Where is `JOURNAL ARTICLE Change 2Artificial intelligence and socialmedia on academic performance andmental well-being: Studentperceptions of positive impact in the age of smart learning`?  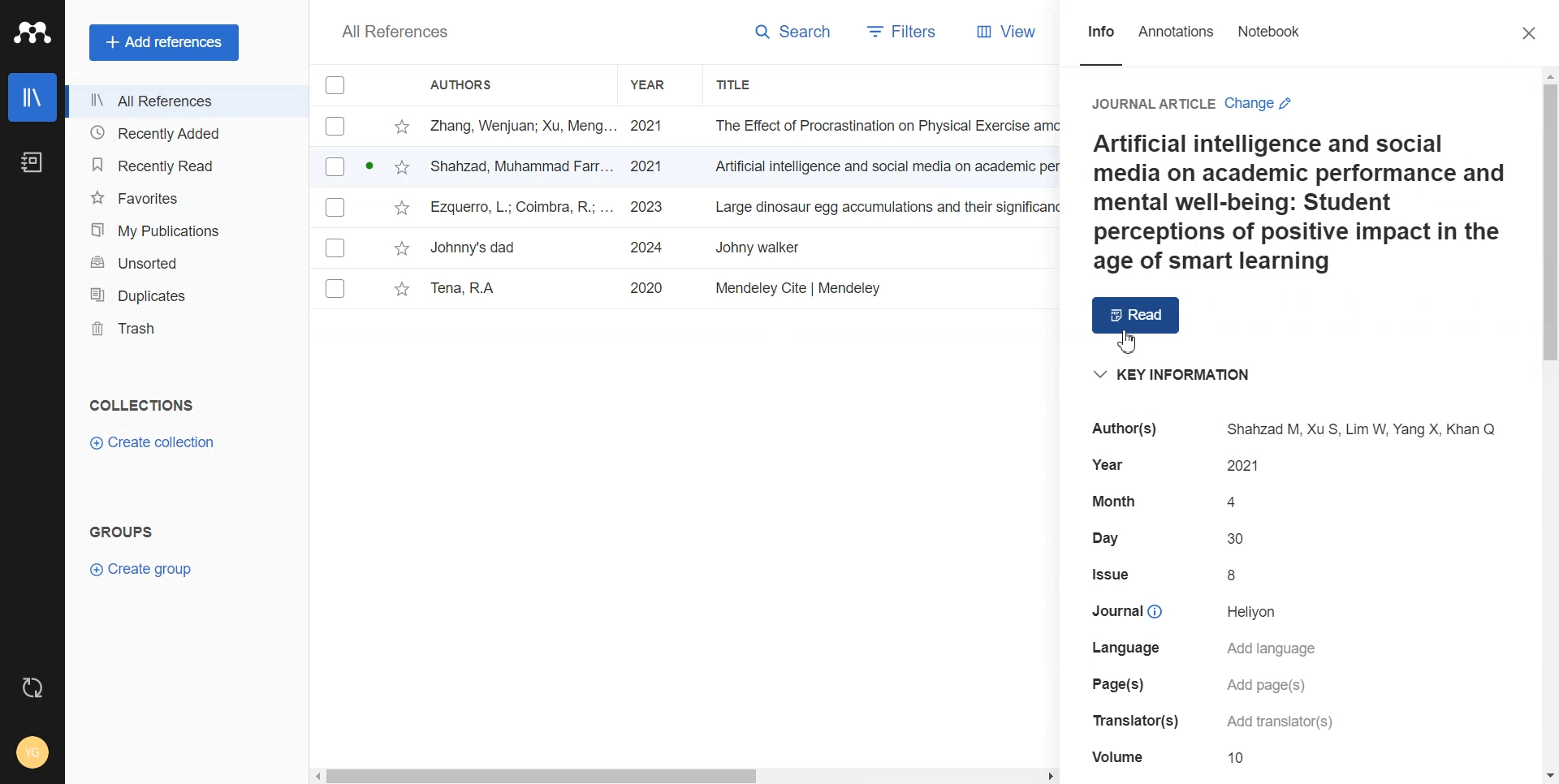 JOURNAL ARTICLE Change 2Artificial intelligence and socialmedia on academic performance andmental well-being: Studentperceptions of positive impact in the age of smart learning is located at coordinates (1292, 180).